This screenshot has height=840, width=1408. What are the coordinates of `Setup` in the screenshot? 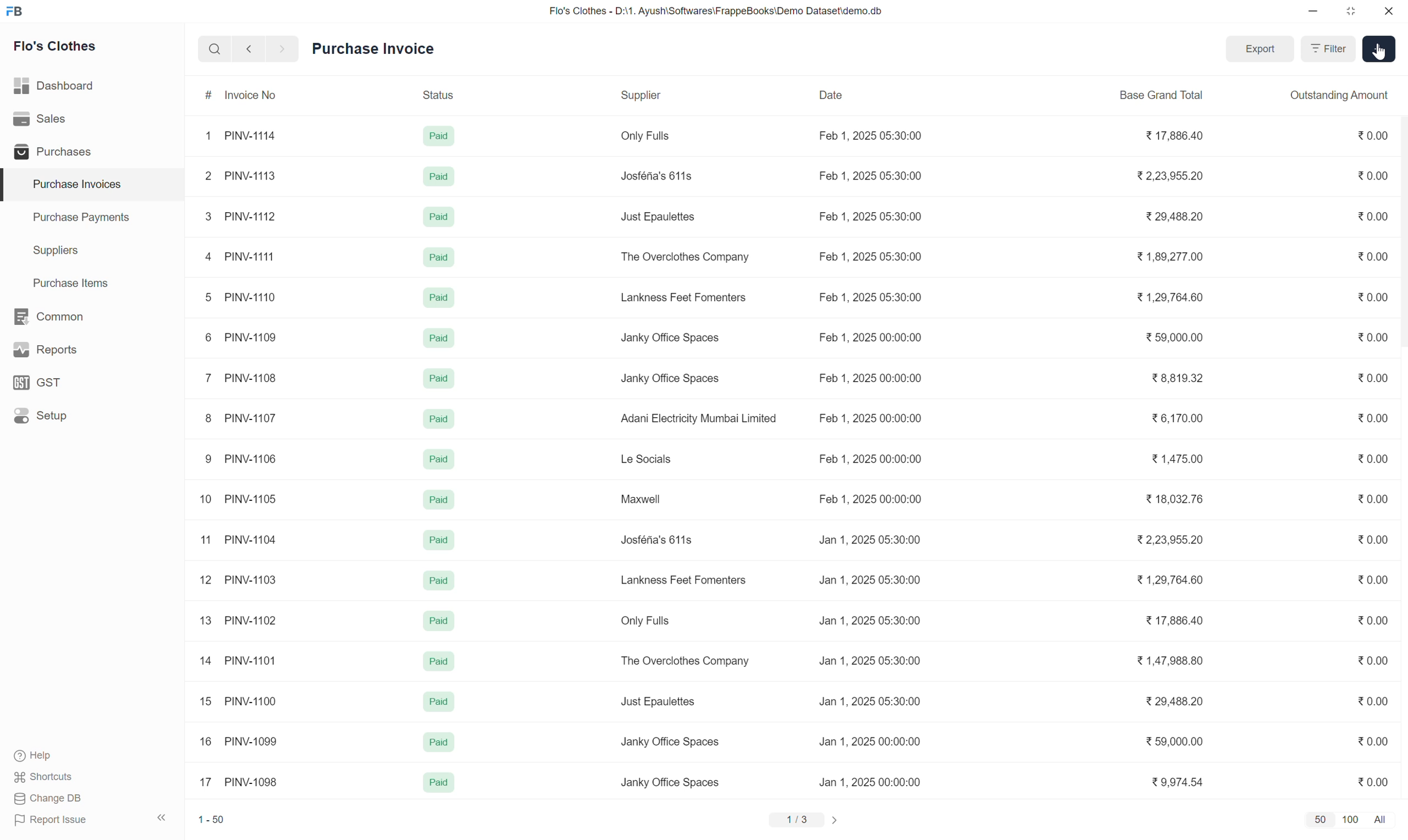 It's located at (91, 415).